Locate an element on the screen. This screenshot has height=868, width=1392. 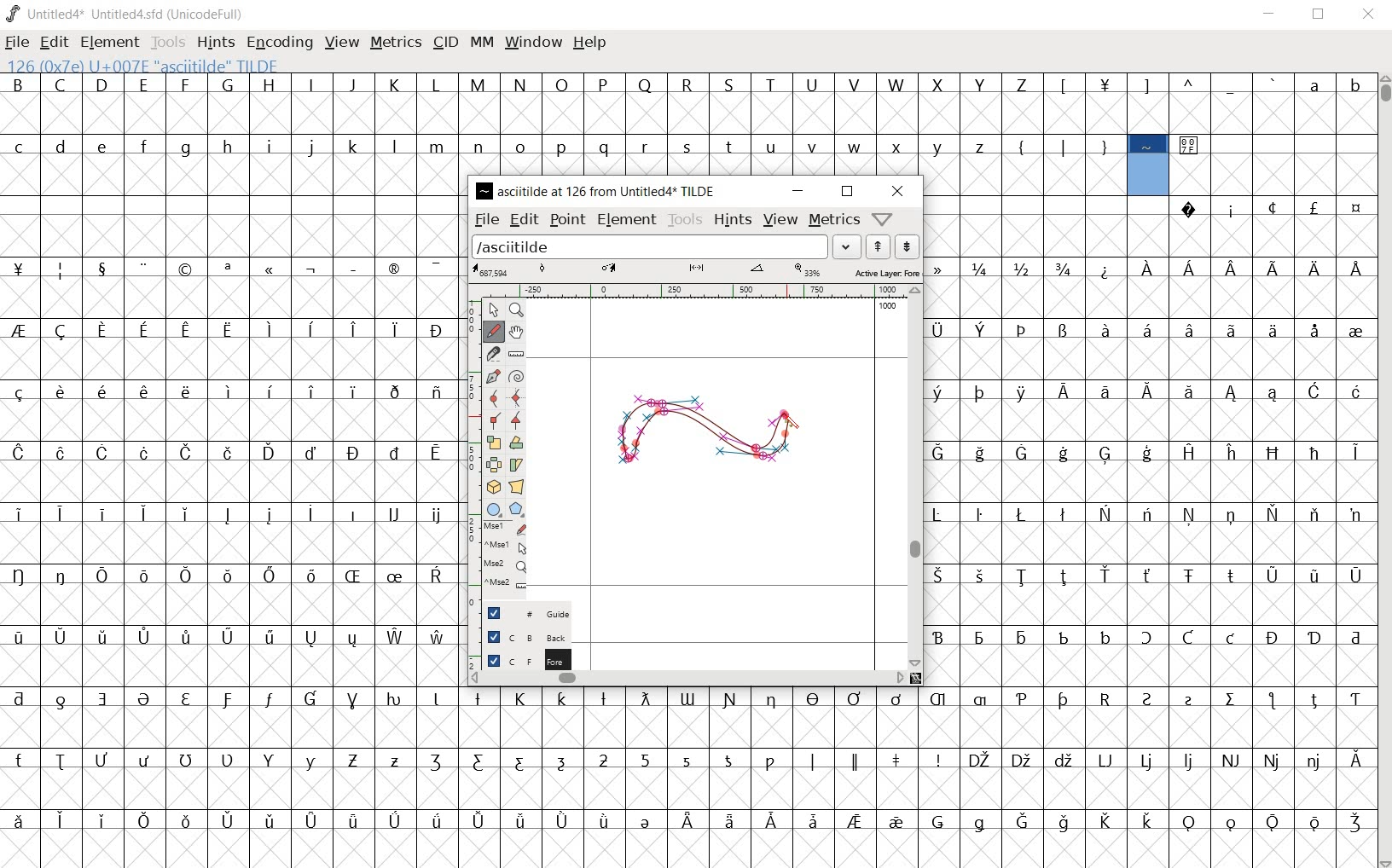
glyph characters is located at coordinates (919, 102).